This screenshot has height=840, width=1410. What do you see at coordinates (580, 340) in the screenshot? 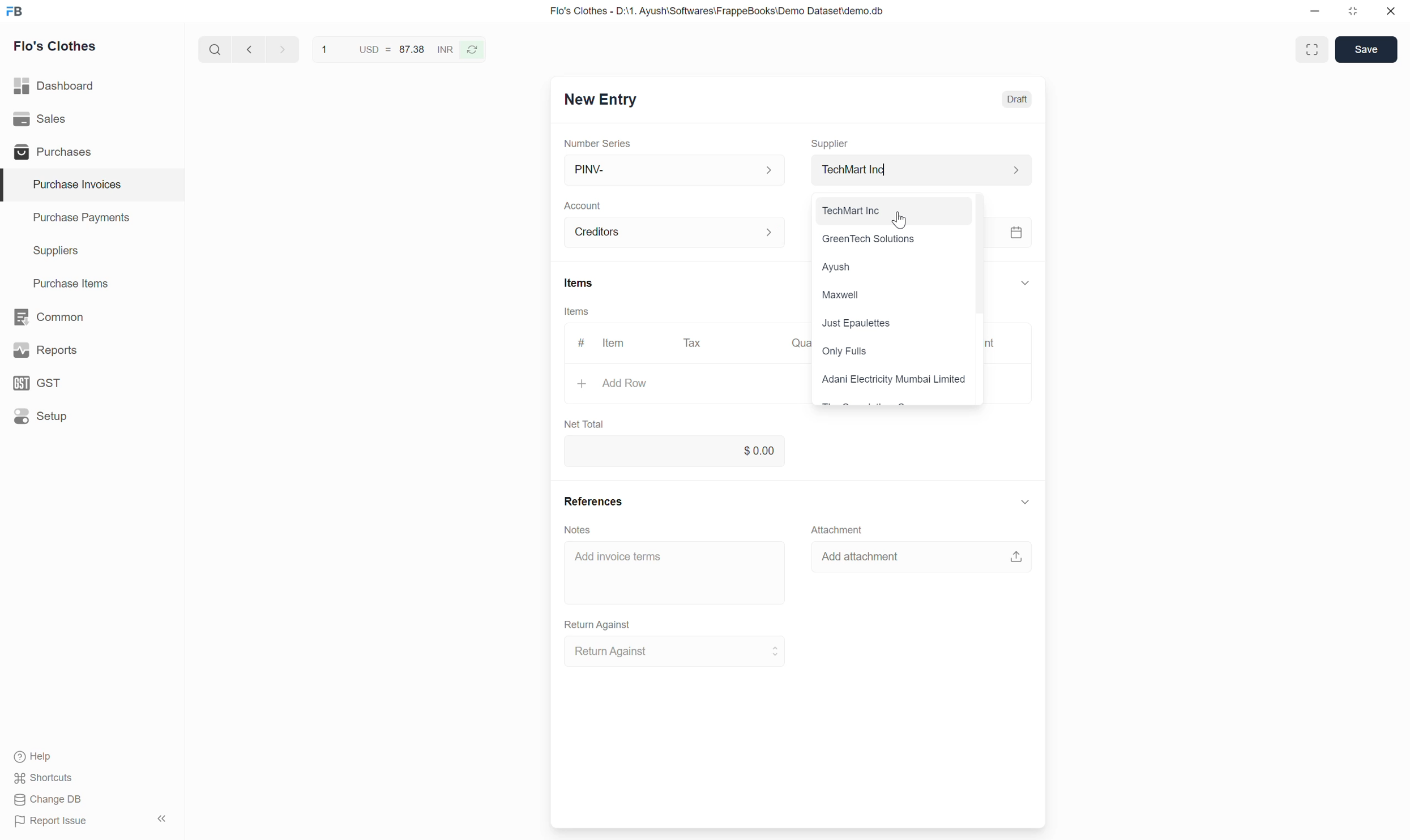
I see `#` at bounding box center [580, 340].